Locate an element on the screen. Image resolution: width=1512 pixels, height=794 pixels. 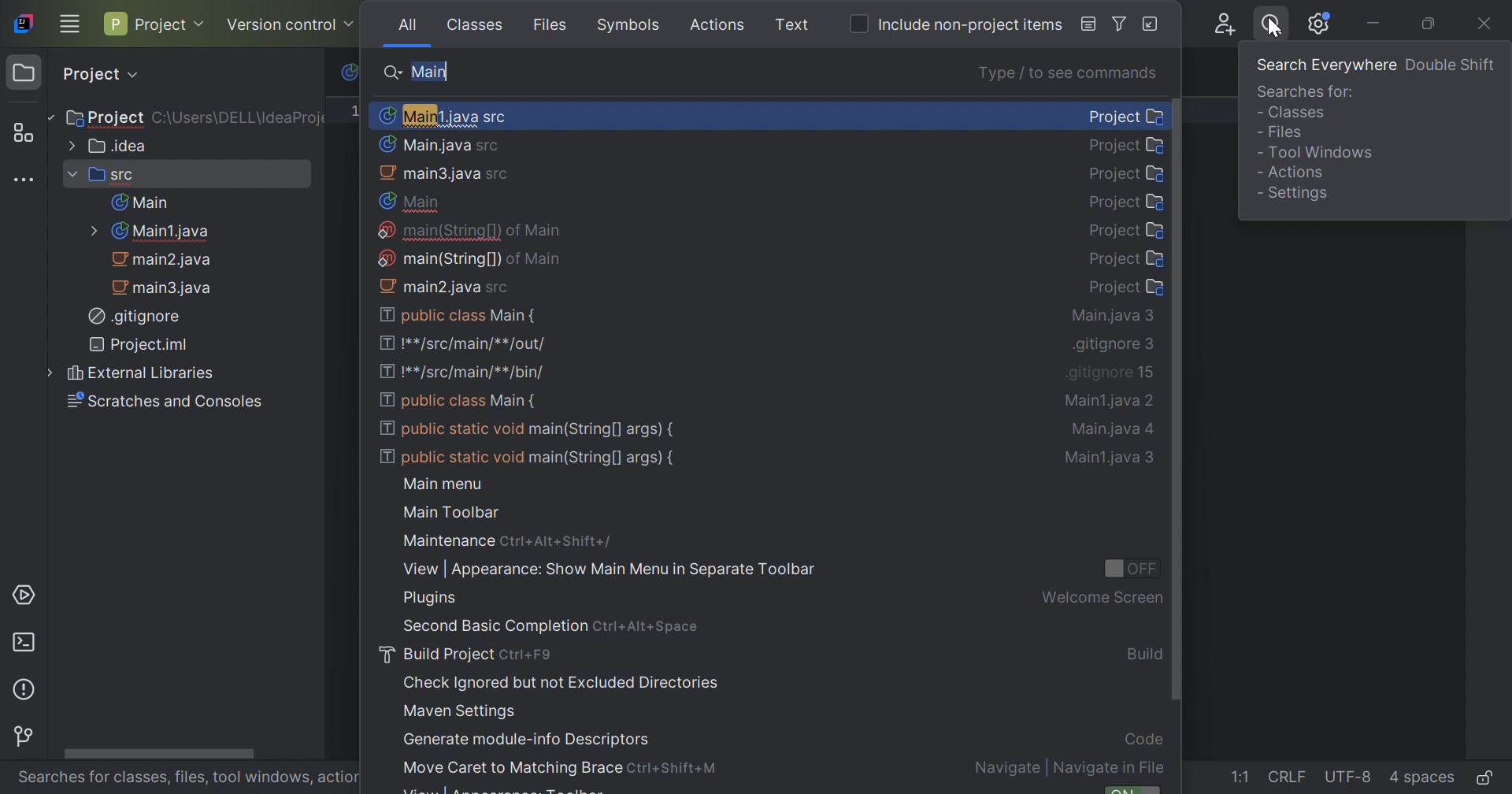
- Settings is located at coordinates (1293, 194).